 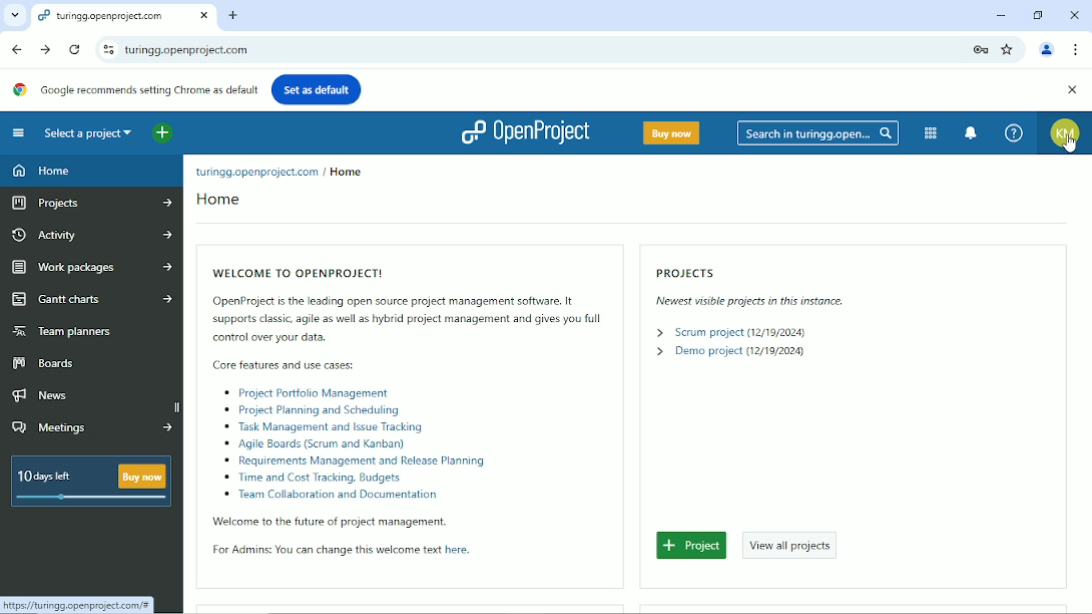 I want to click on Help, so click(x=1013, y=133).